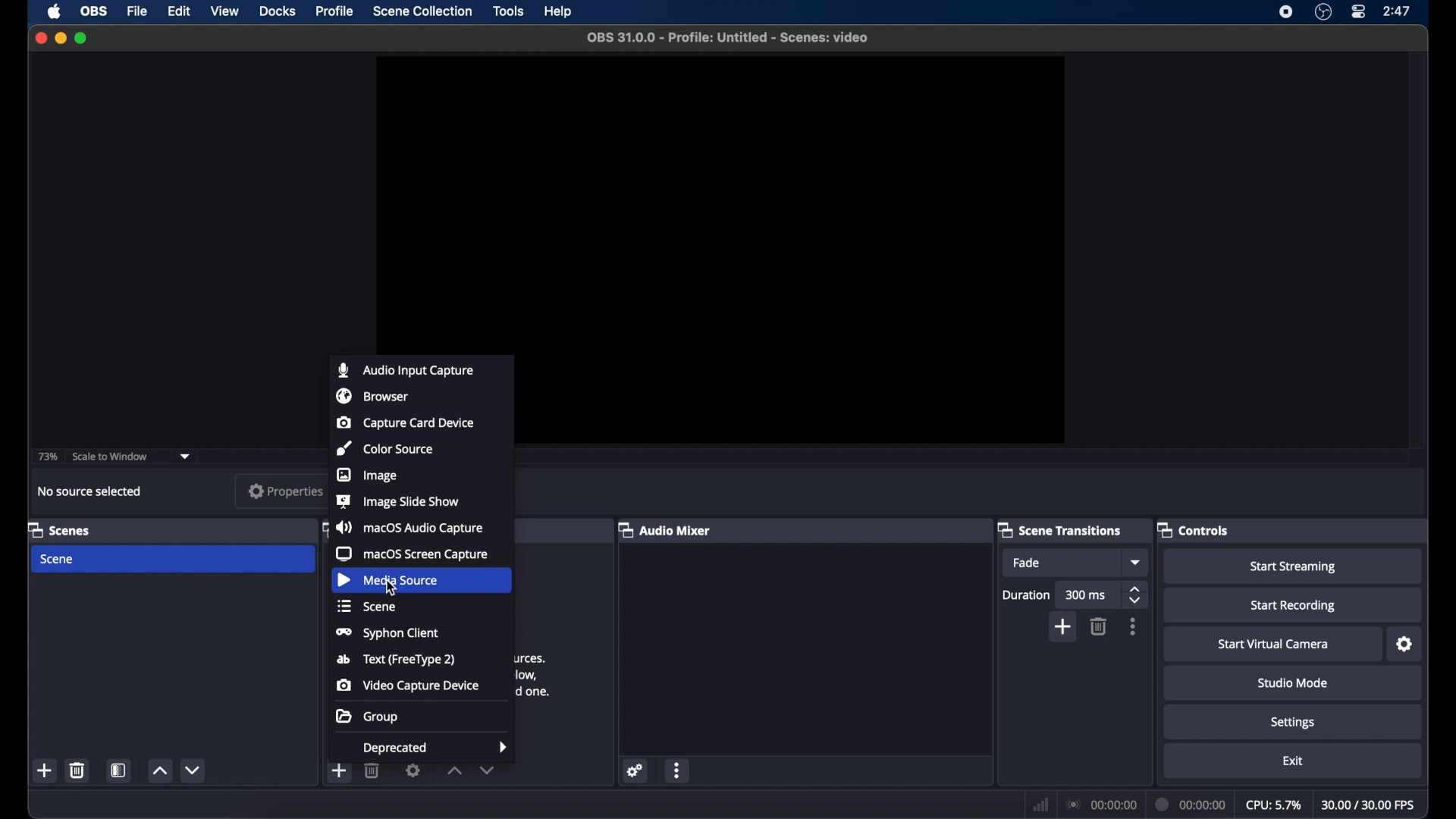  What do you see at coordinates (400, 501) in the screenshot?
I see `image slide show` at bounding box center [400, 501].